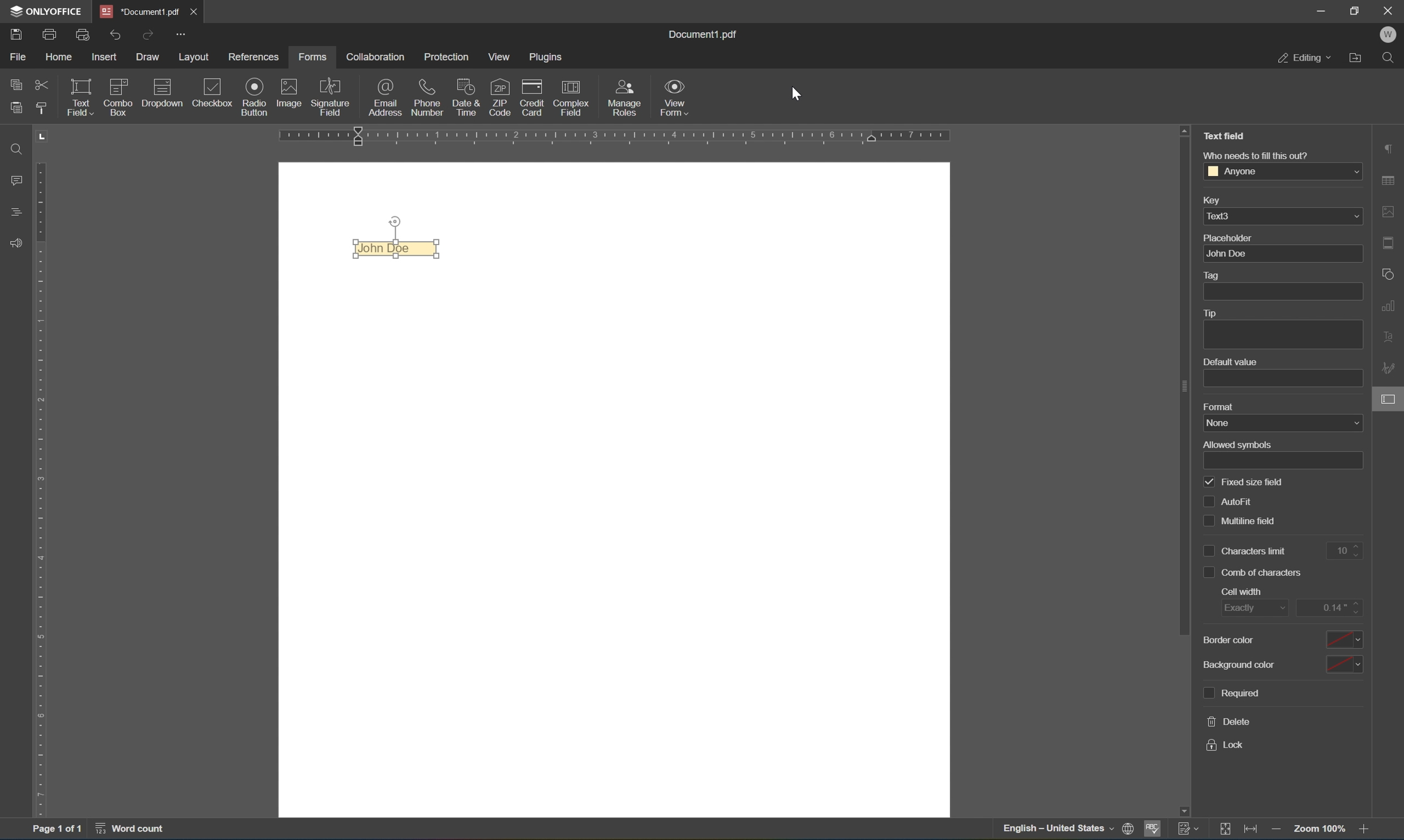  What do you see at coordinates (1247, 552) in the screenshot?
I see `characters limit` at bounding box center [1247, 552].